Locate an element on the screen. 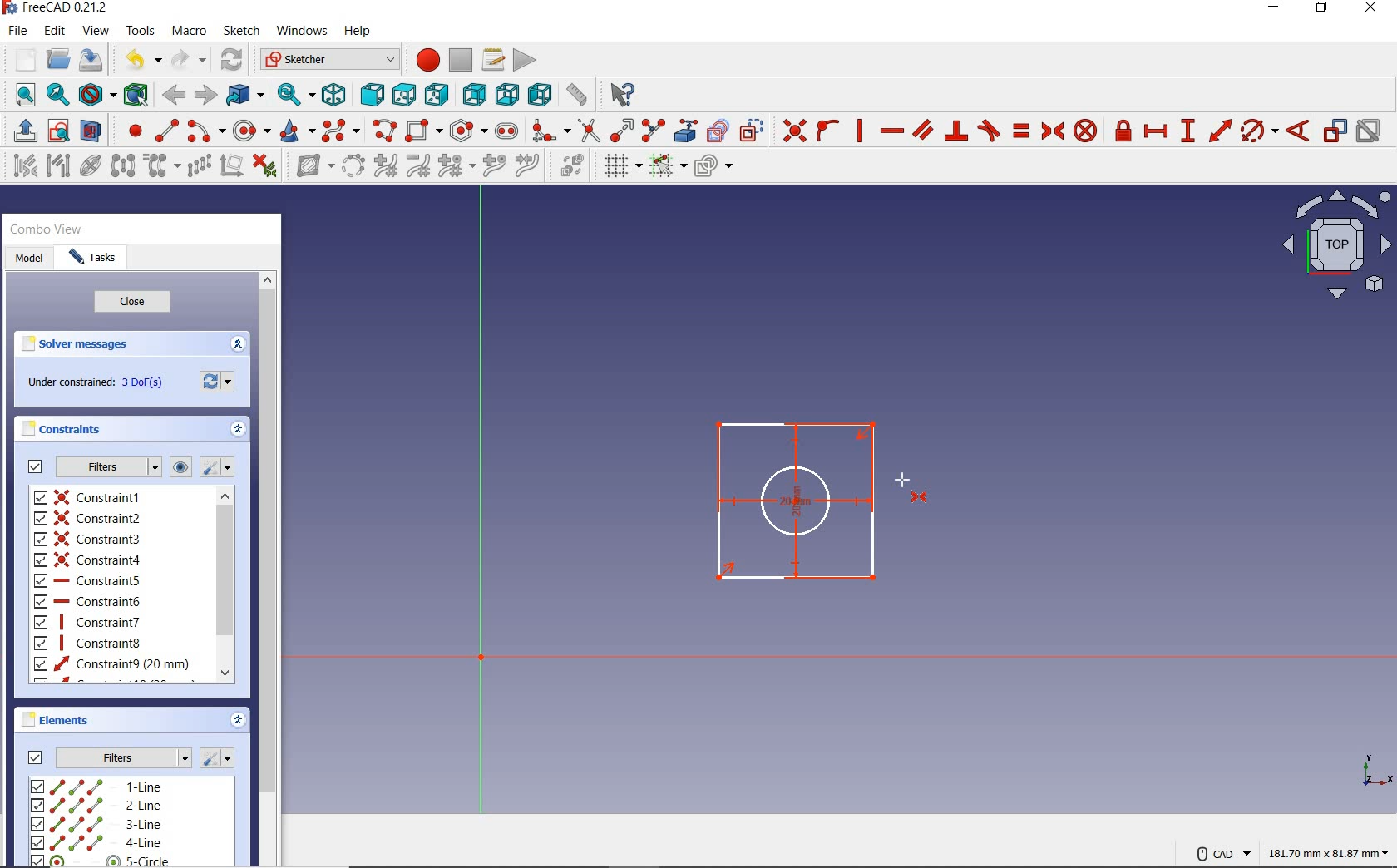 This screenshot has width=1397, height=868. filters is located at coordinates (105, 467).